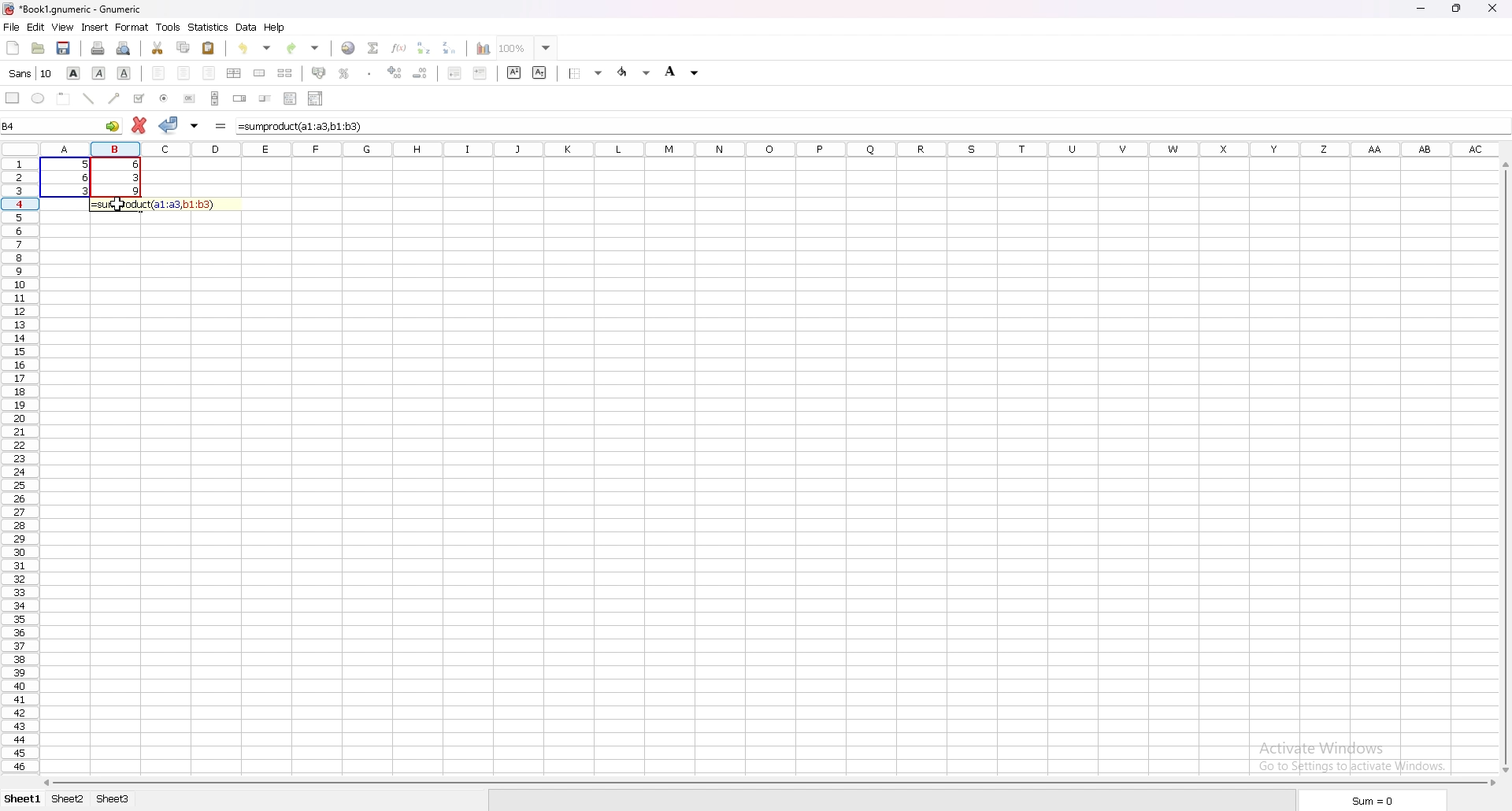 The width and height of the screenshot is (1512, 811). Describe the element at coordinates (1421, 9) in the screenshot. I see `minimize` at that location.